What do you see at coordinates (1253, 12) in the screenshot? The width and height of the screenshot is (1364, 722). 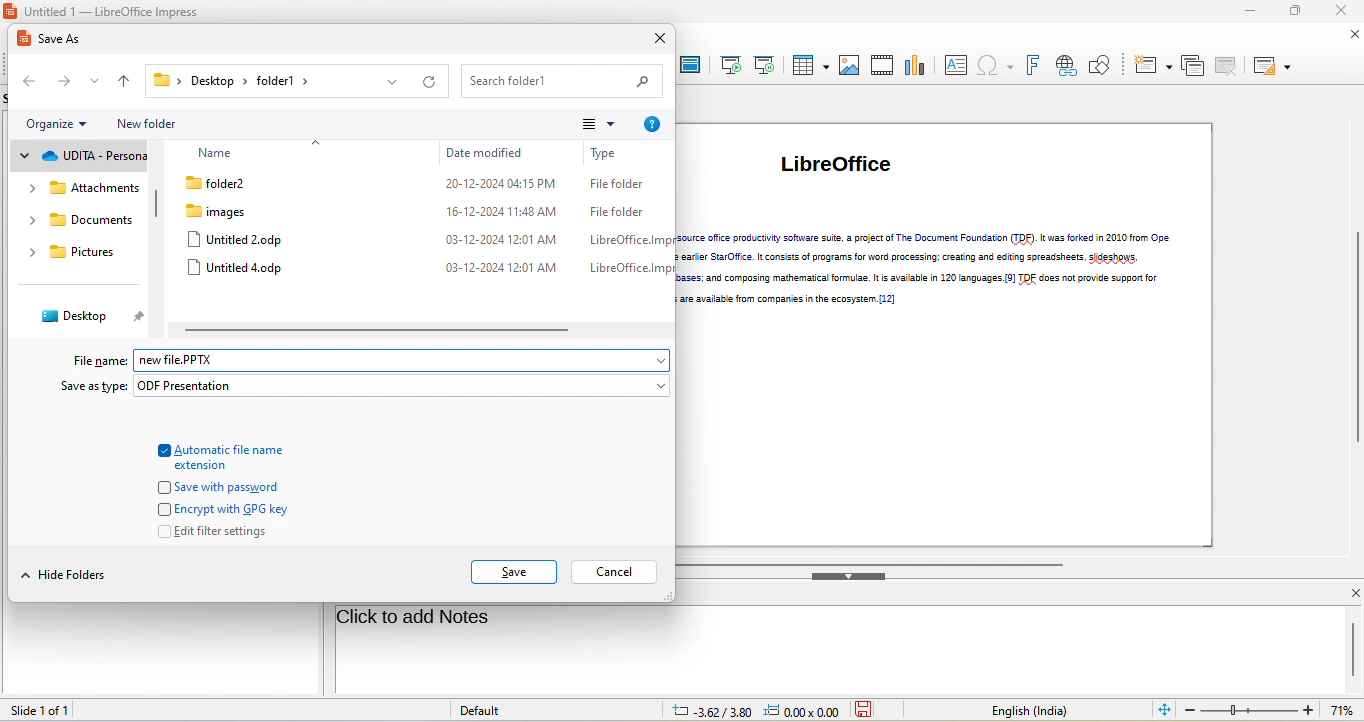 I see `minimize` at bounding box center [1253, 12].